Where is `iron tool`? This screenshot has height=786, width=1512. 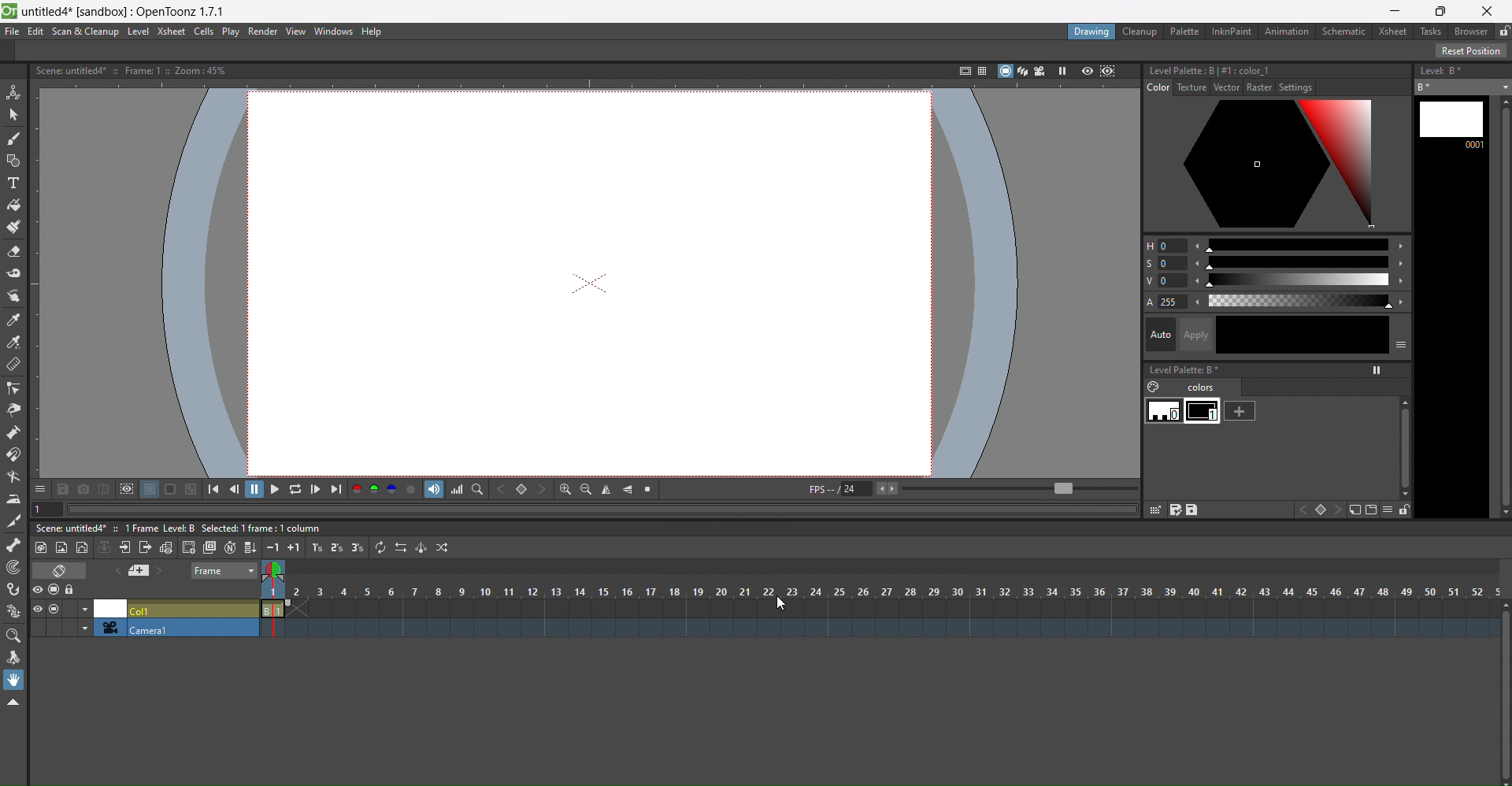
iron tool is located at coordinates (13, 500).